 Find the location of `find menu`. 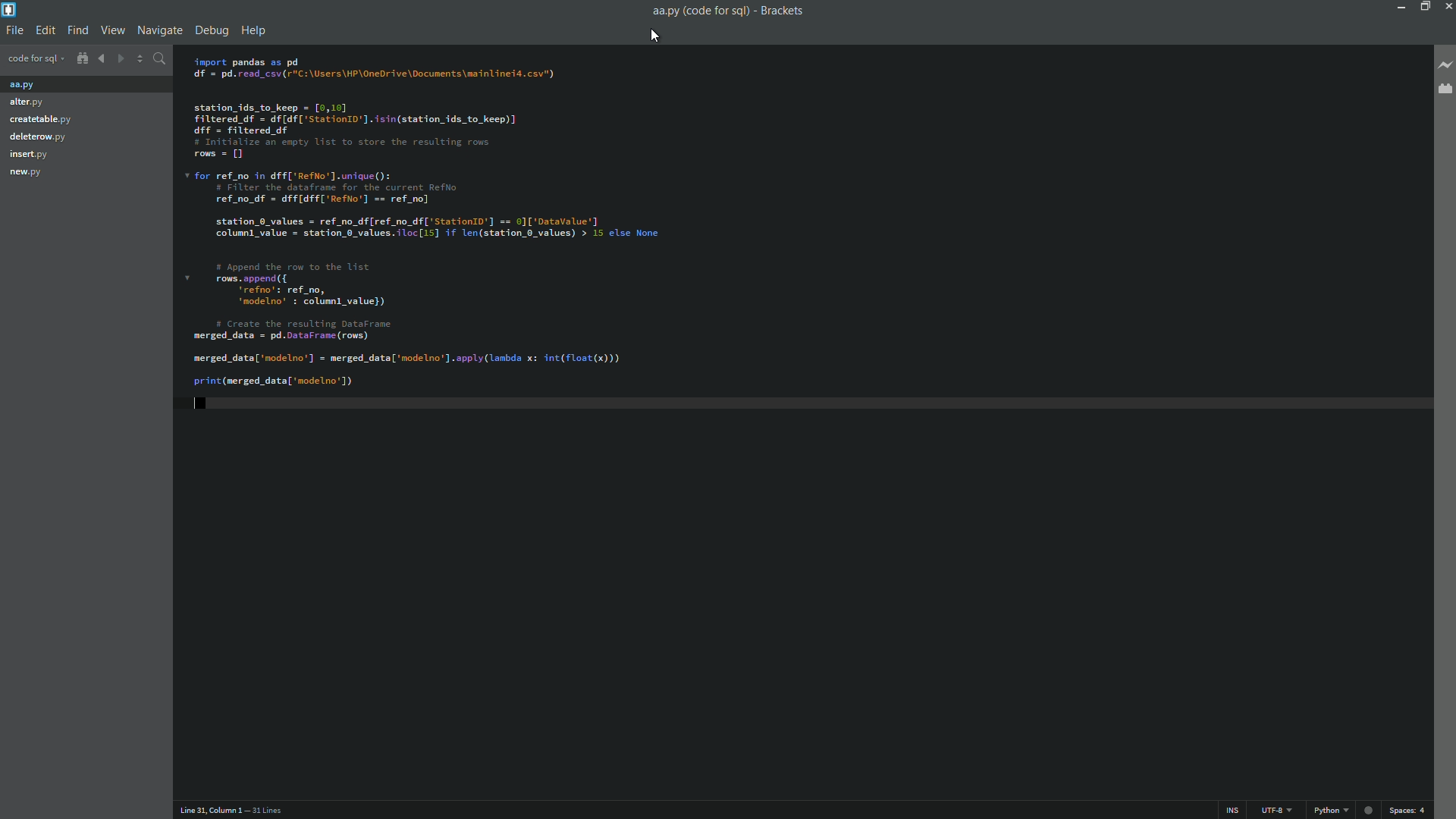

find menu is located at coordinates (76, 30).